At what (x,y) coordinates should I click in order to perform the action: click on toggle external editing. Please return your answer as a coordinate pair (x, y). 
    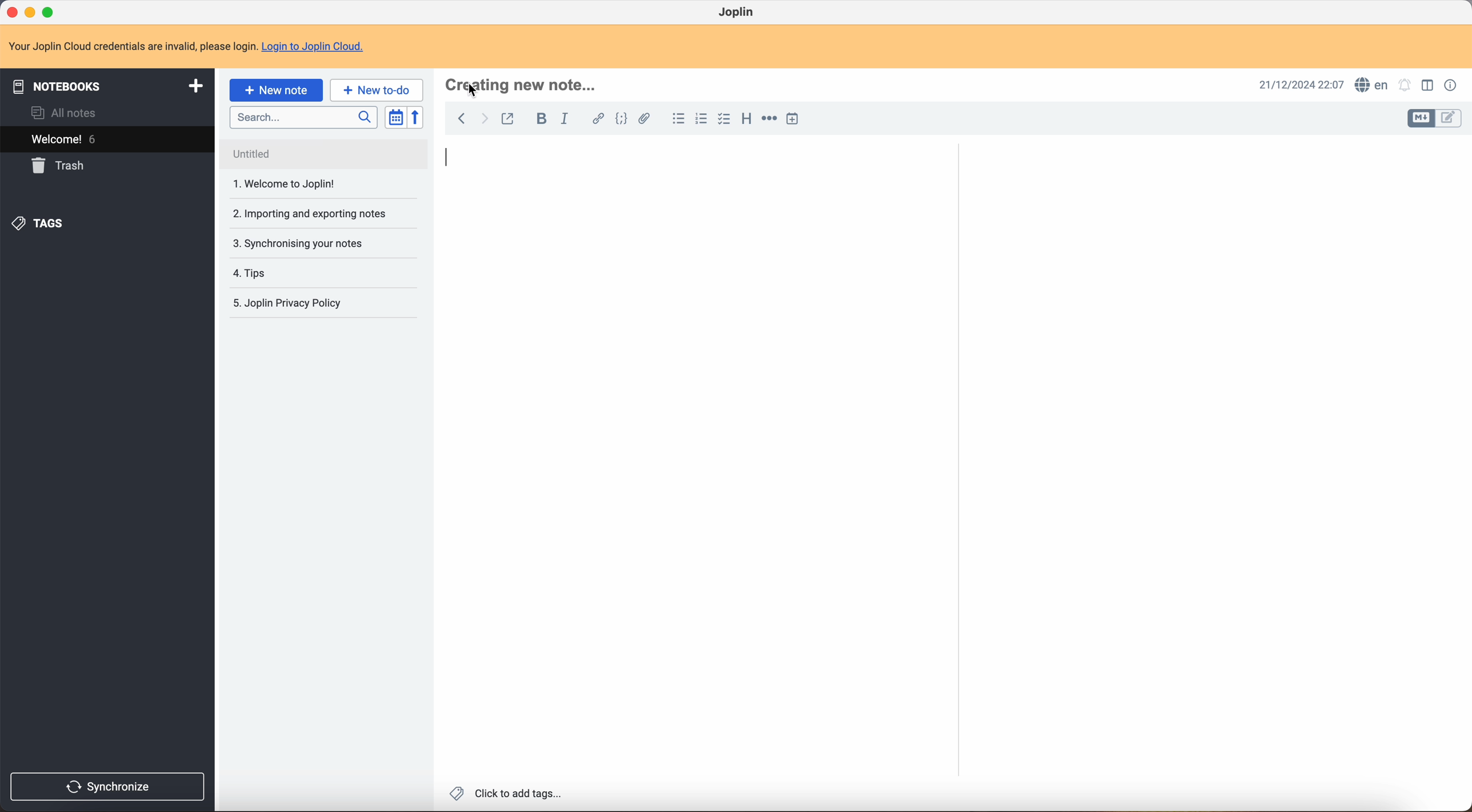
    Looking at the image, I should click on (507, 118).